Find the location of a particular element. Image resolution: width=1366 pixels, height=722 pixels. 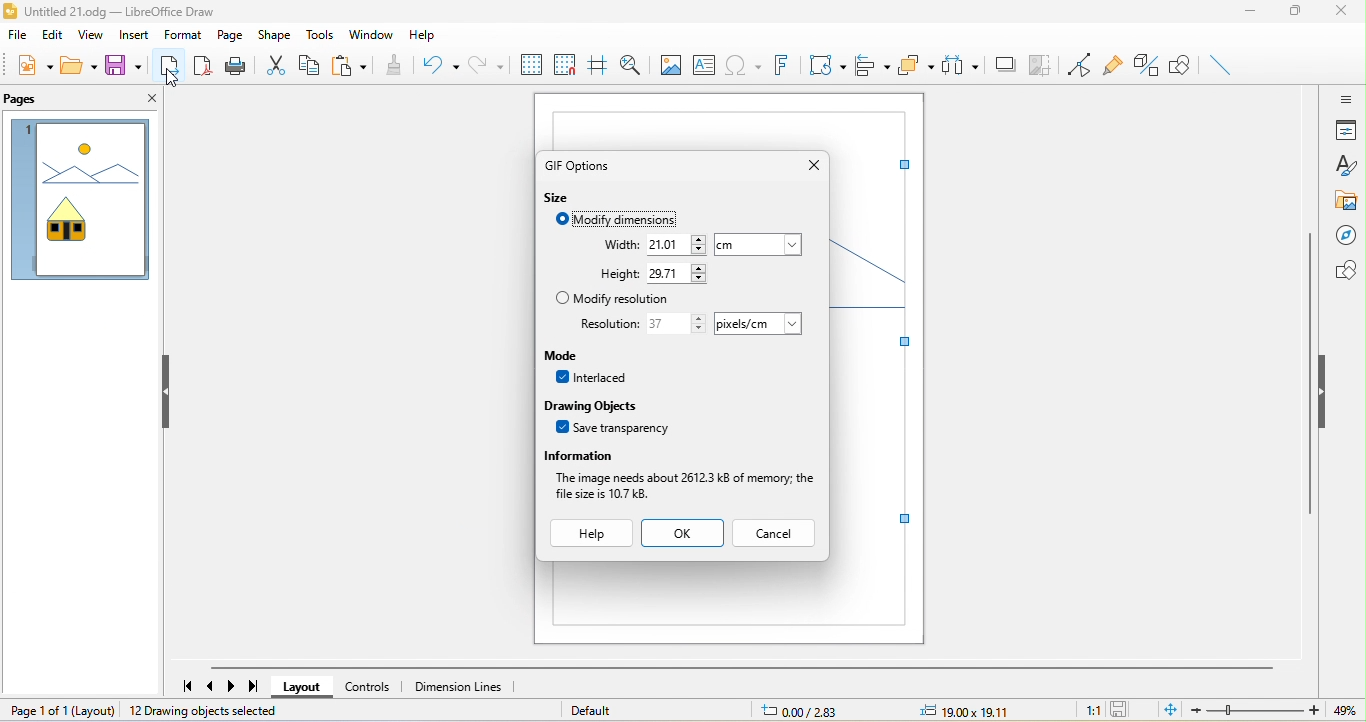

save is located at coordinates (1123, 710).